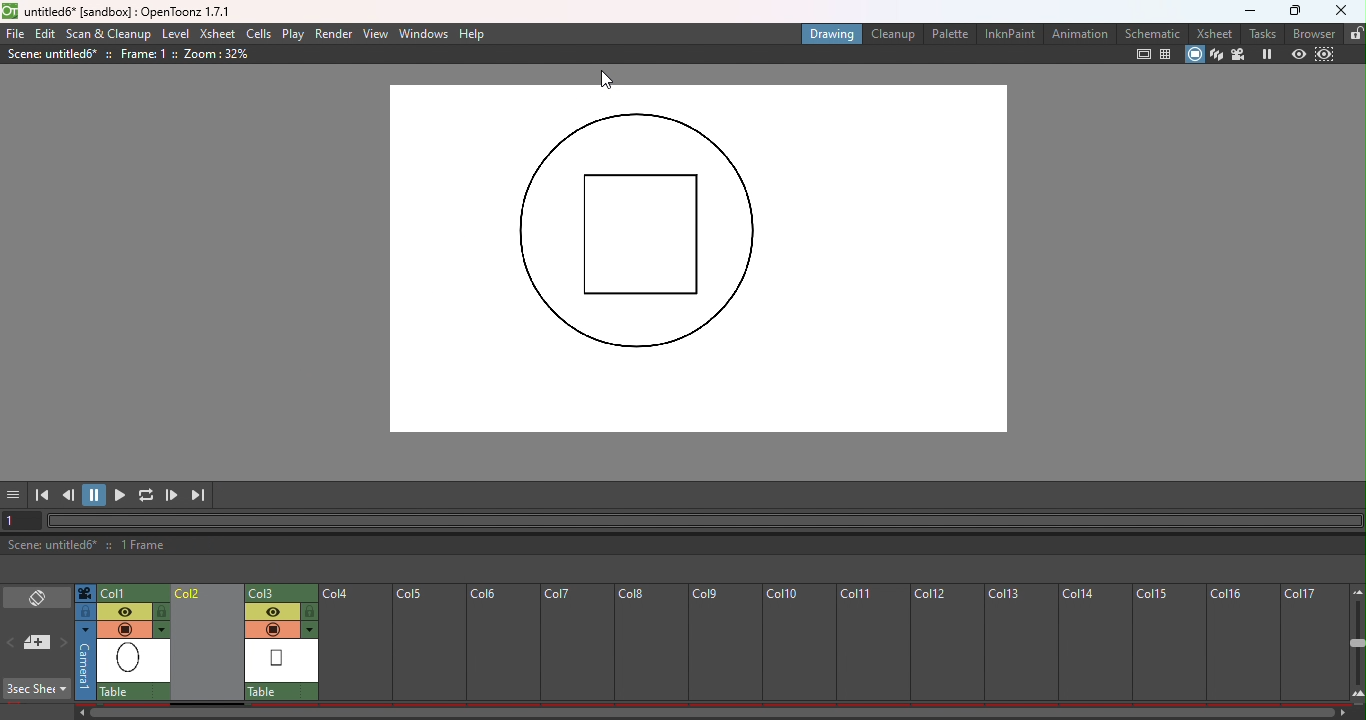 Image resolution: width=1366 pixels, height=720 pixels. Describe the element at coordinates (310, 611) in the screenshot. I see `Lock toggle` at that location.